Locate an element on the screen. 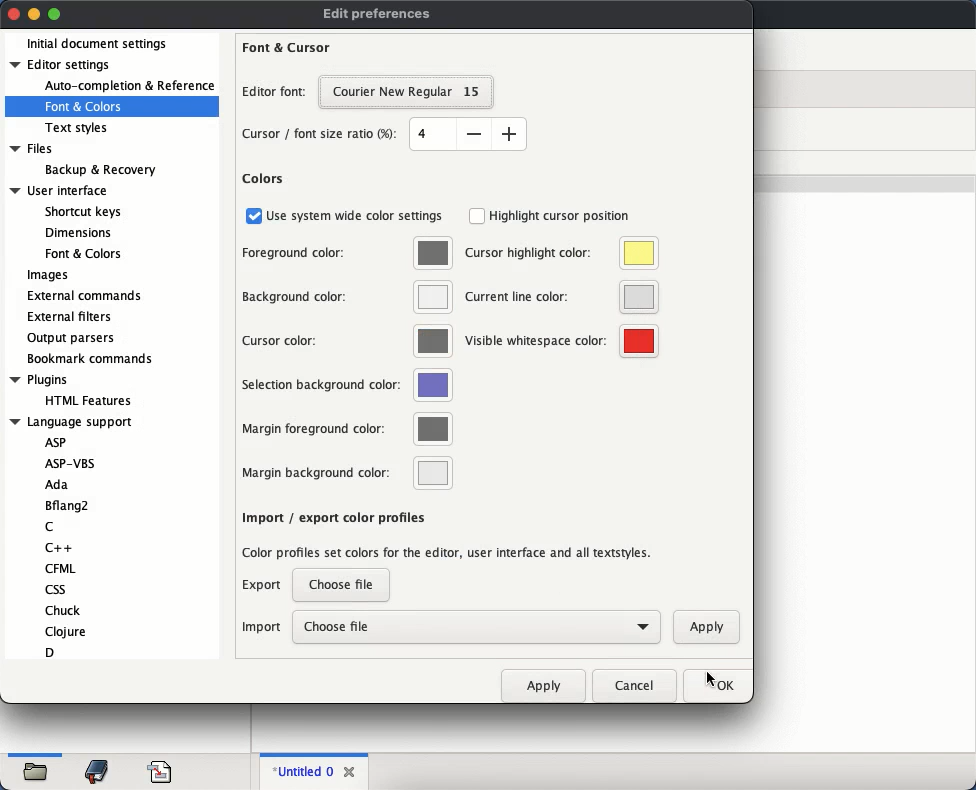 The height and width of the screenshot is (790, 976). Colour profile set colours for the editor user interface and all text styles is located at coordinates (446, 554).